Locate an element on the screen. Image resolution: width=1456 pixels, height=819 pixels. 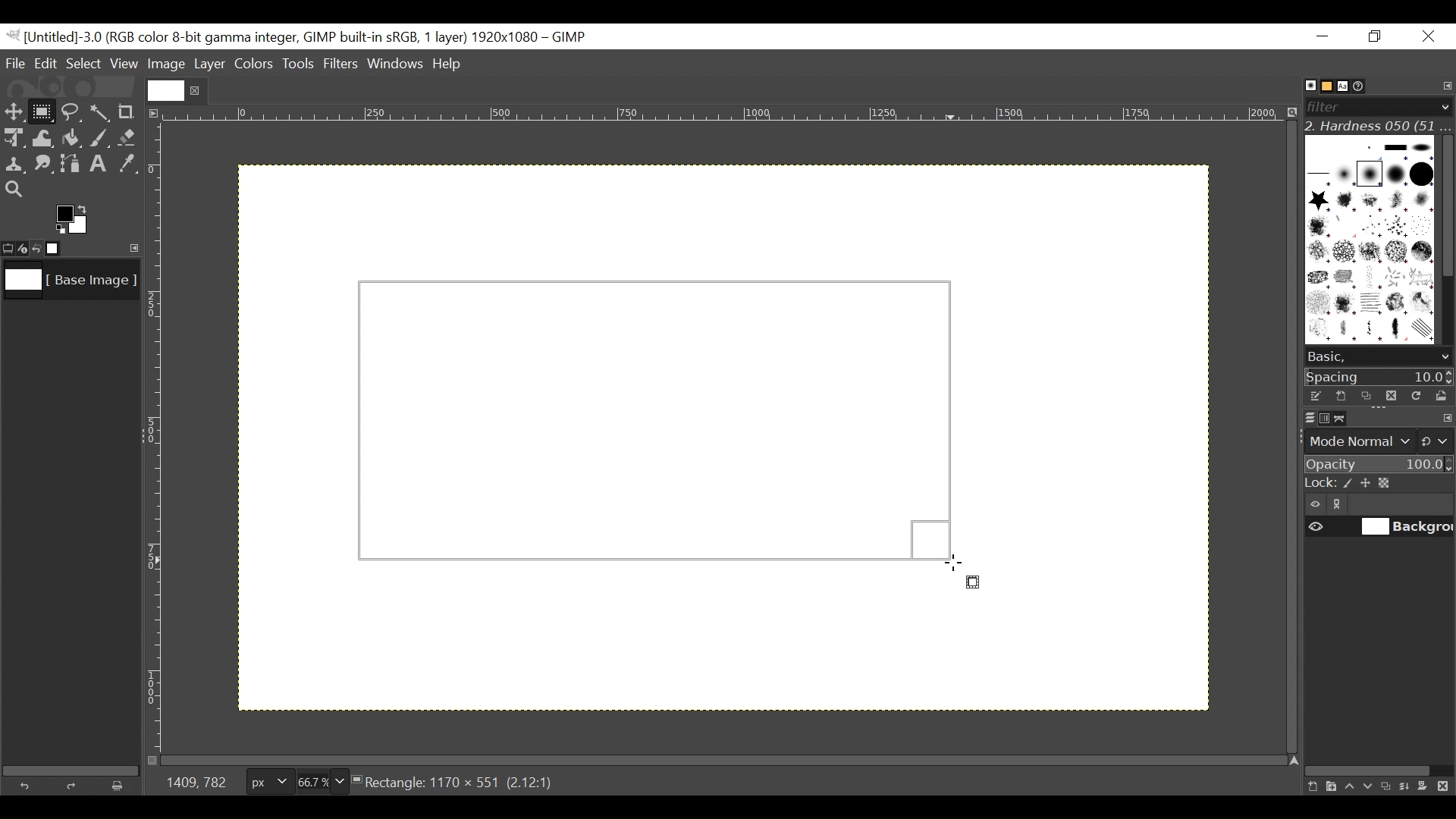
Delete this layer is located at coordinates (1446, 787).